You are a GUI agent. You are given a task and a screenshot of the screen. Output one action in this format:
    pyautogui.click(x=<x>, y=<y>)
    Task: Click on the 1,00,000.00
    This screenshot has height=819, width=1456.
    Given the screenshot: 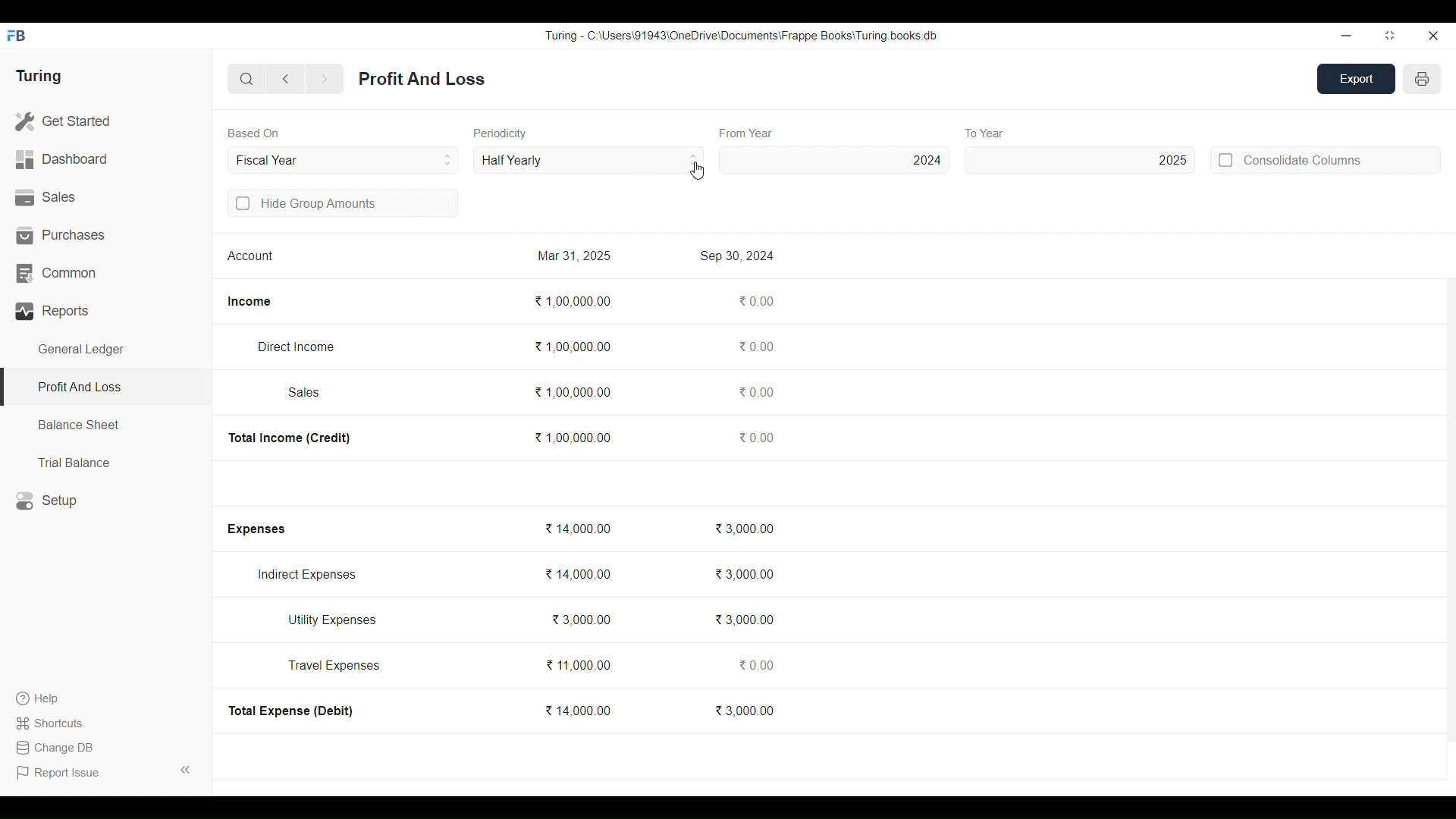 What is the action you would take?
    pyautogui.click(x=573, y=300)
    